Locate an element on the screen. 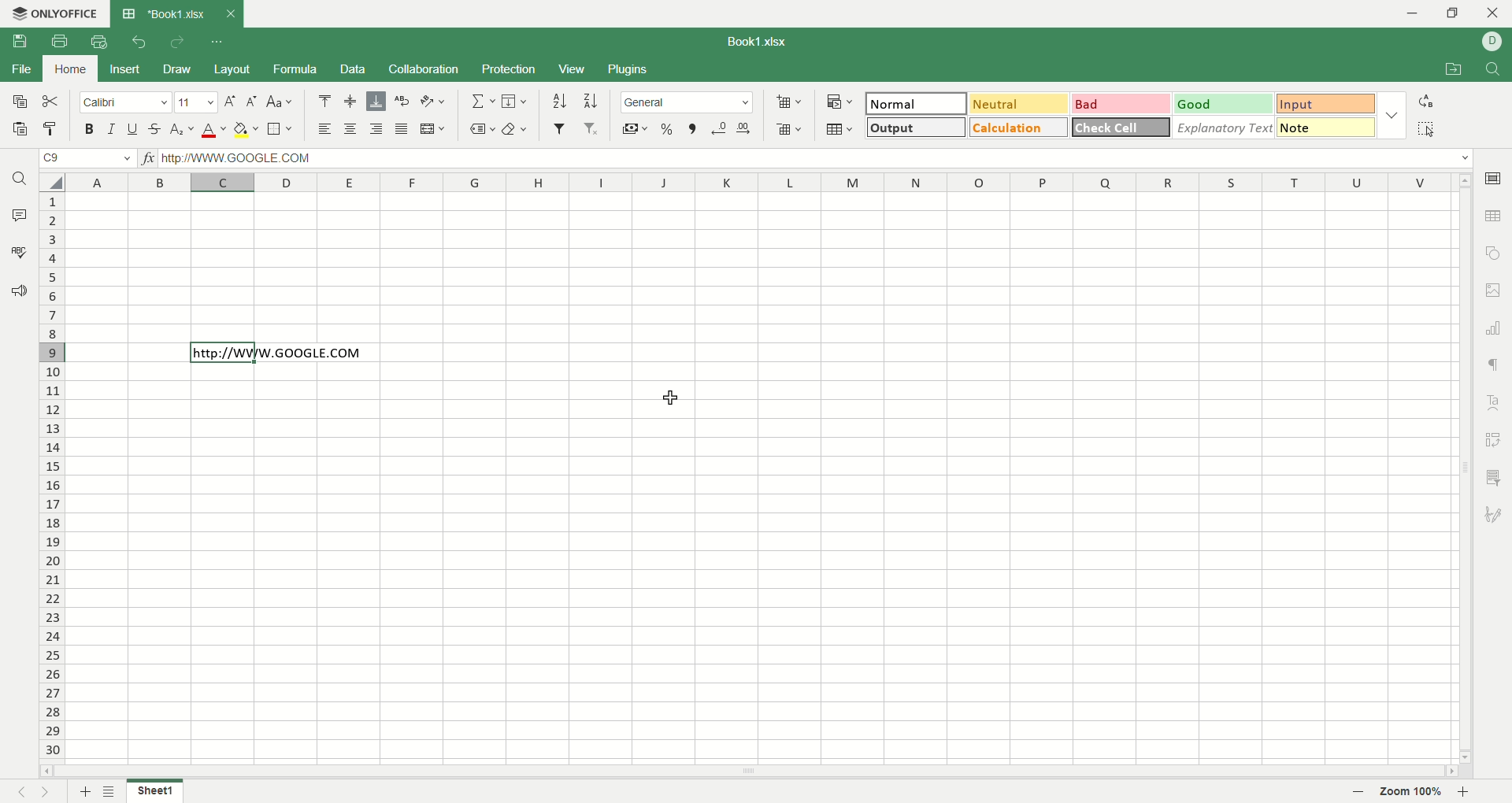  protection is located at coordinates (507, 69).